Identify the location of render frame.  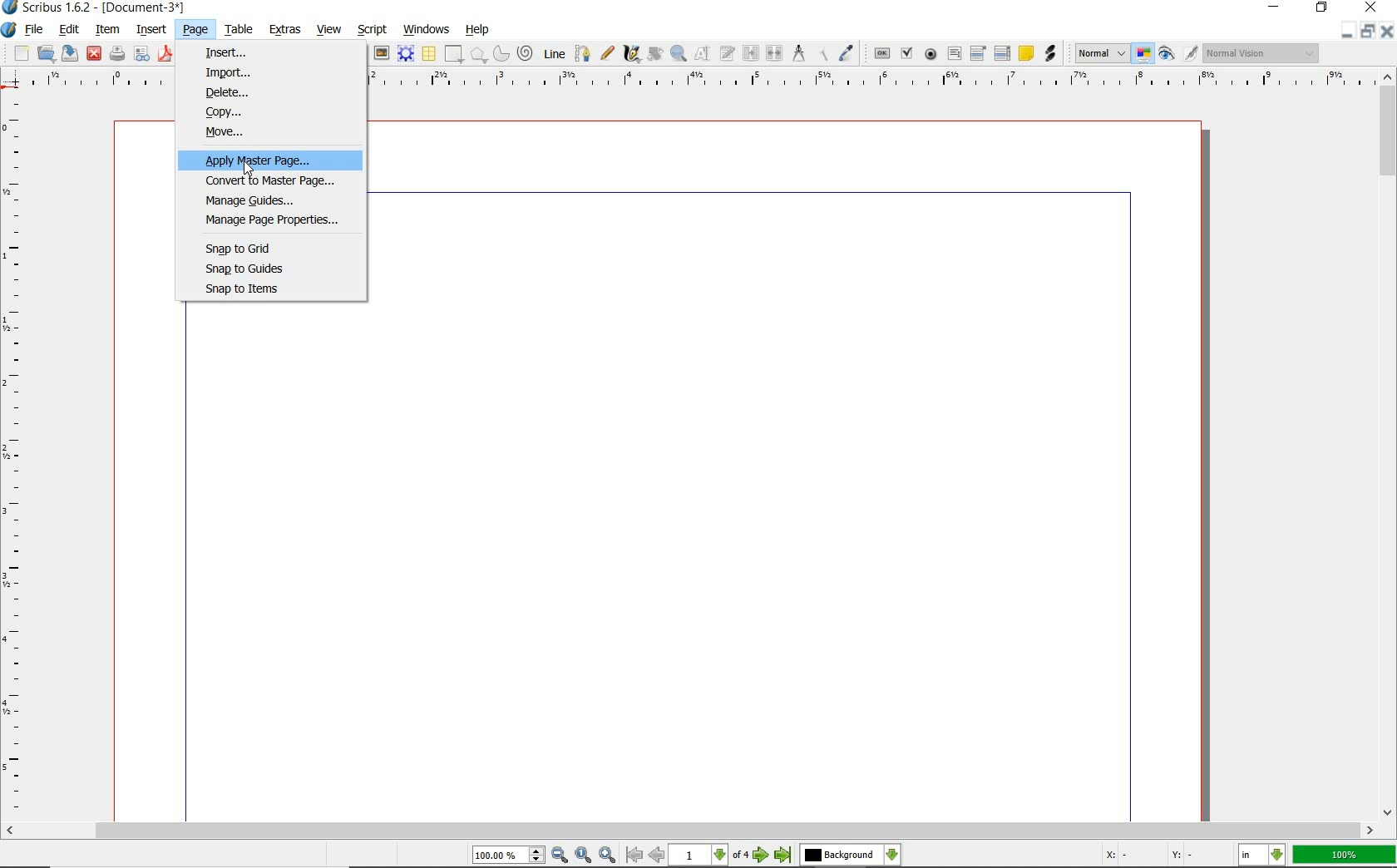
(405, 54).